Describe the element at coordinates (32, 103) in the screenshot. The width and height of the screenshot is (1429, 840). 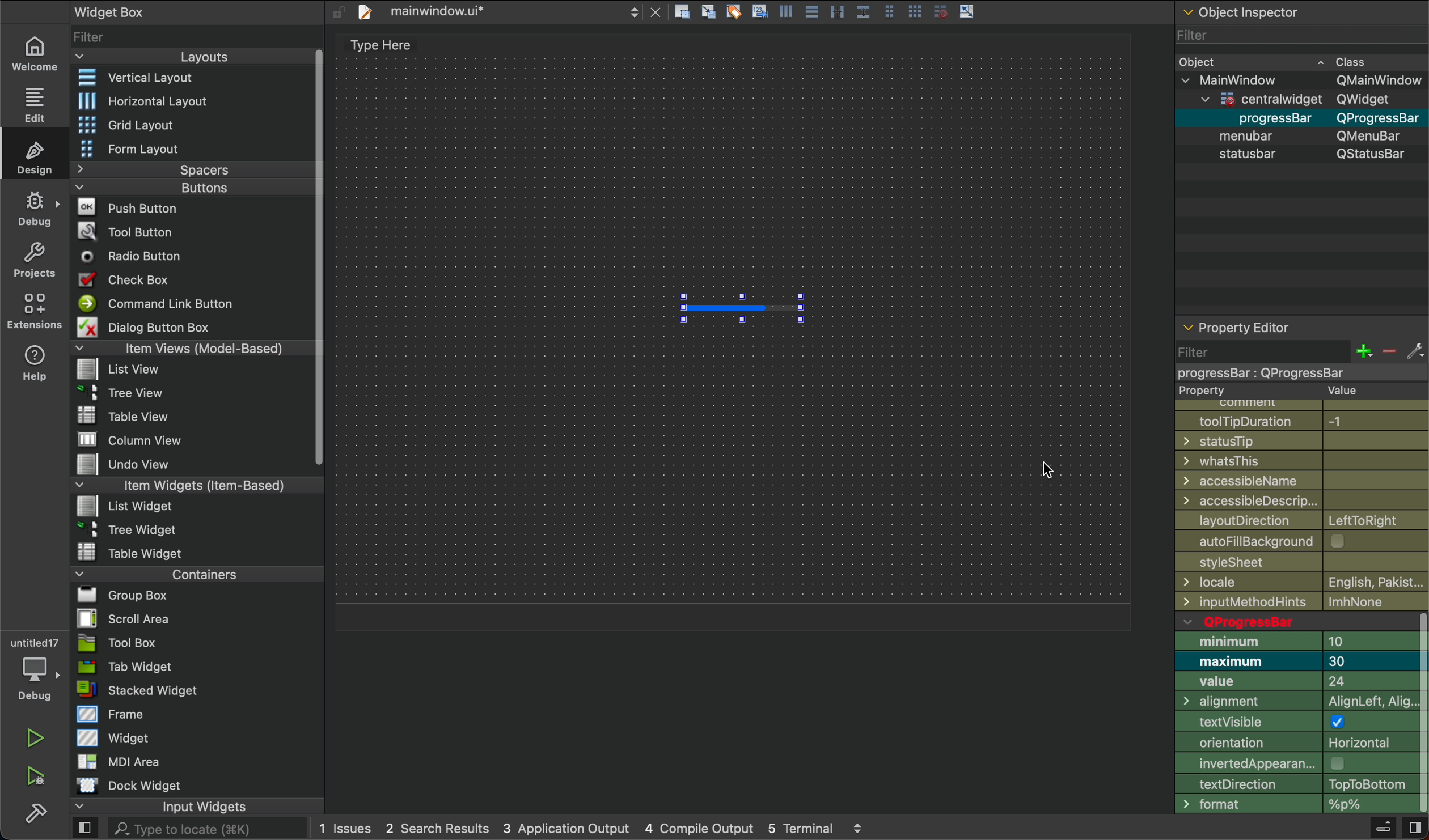
I see `edit` at that location.